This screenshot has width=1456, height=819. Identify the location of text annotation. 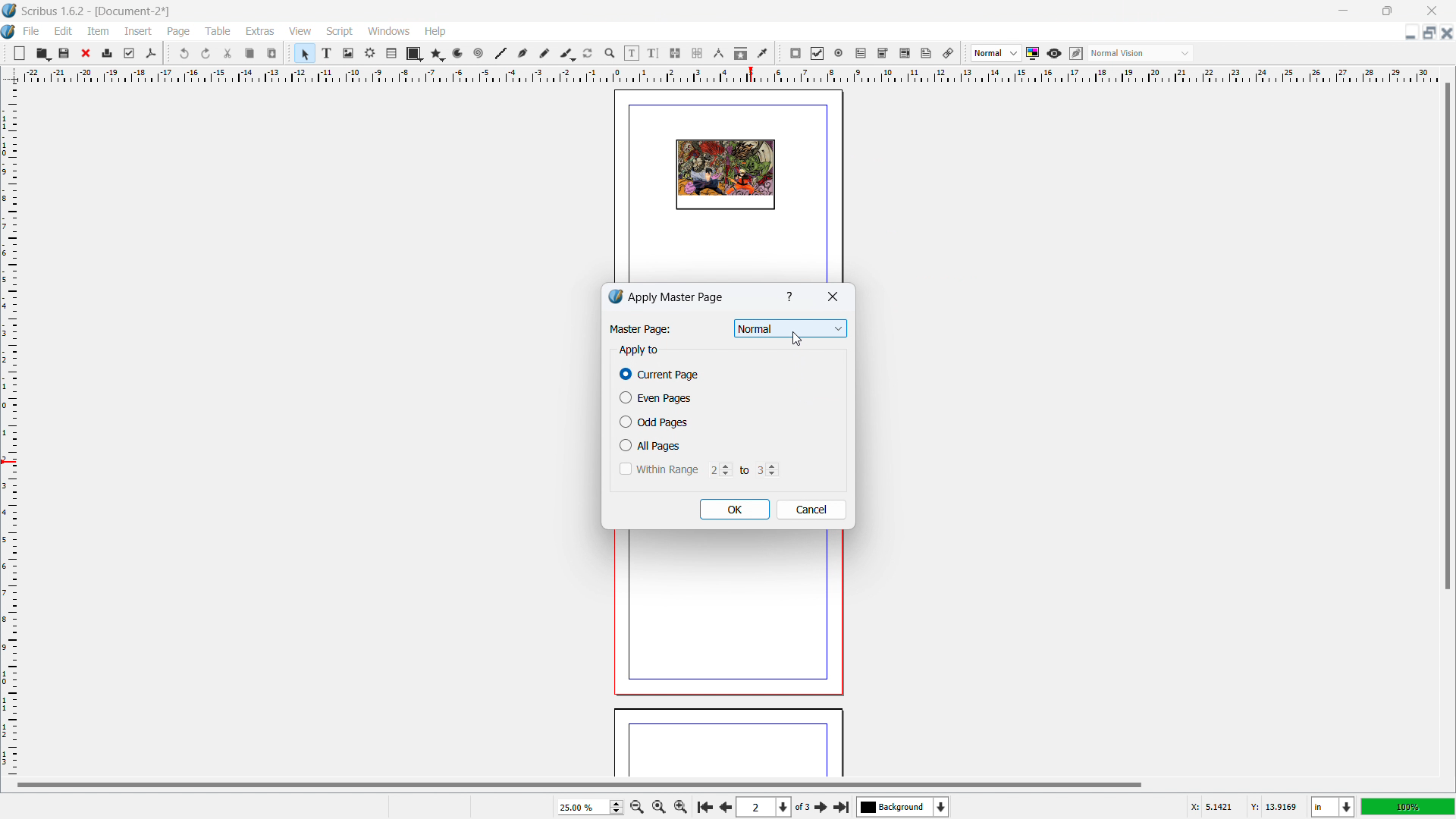
(927, 54).